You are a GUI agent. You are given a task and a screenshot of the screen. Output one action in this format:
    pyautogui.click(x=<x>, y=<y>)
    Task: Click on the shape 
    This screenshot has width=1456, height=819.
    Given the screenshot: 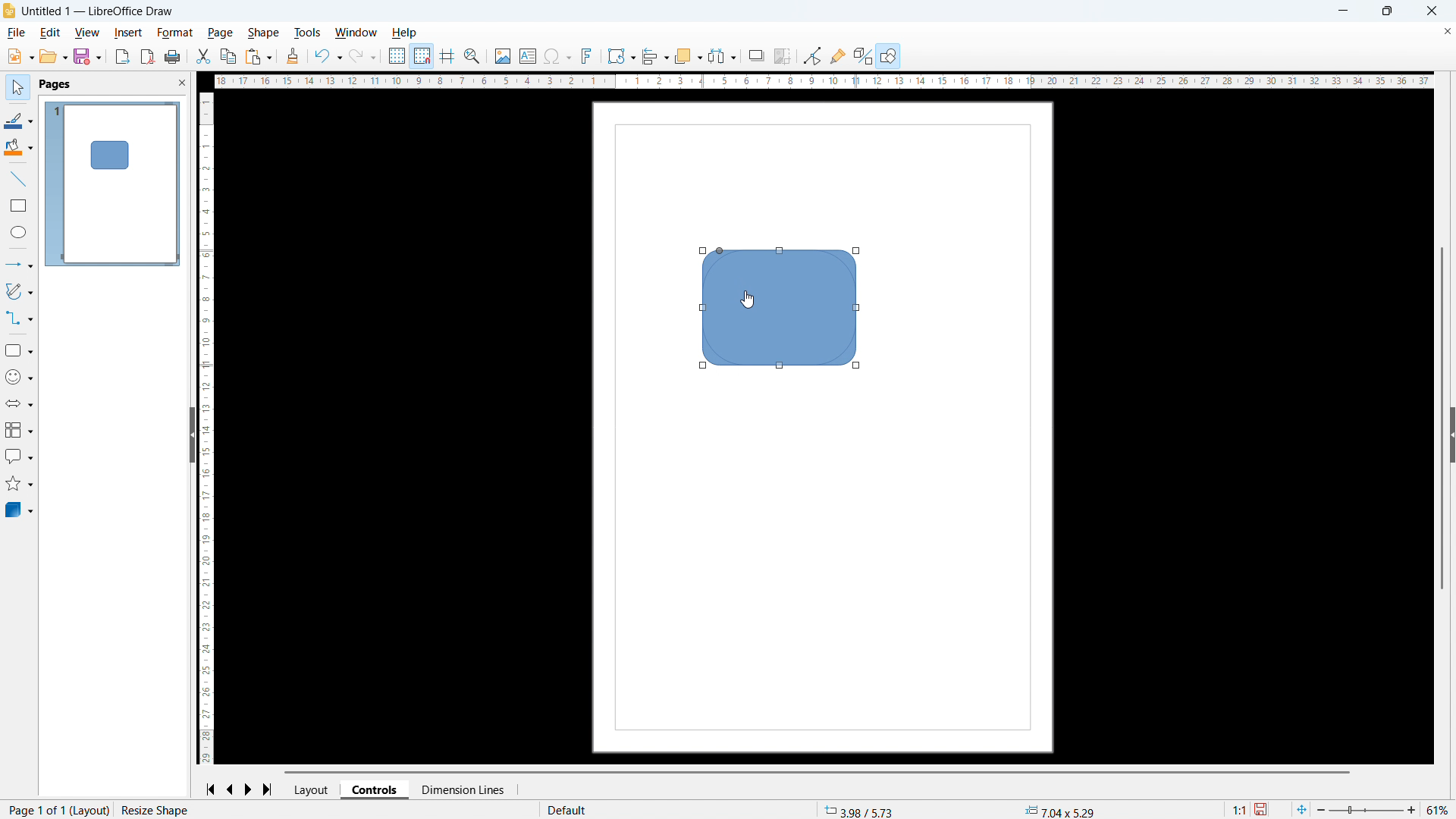 What is the action you would take?
    pyautogui.click(x=263, y=33)
    